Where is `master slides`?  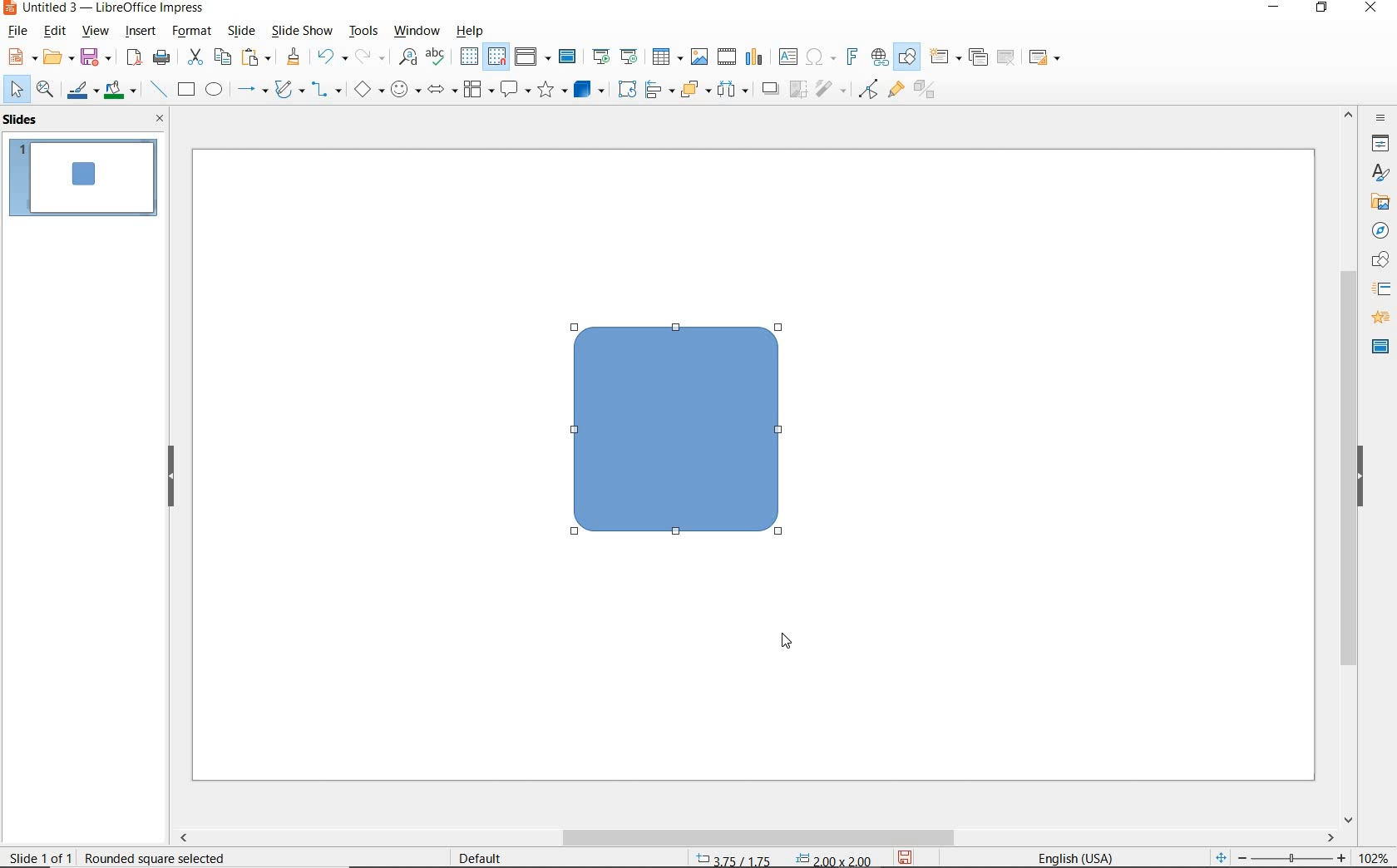 master slides is located at coordinates (1375, 348).